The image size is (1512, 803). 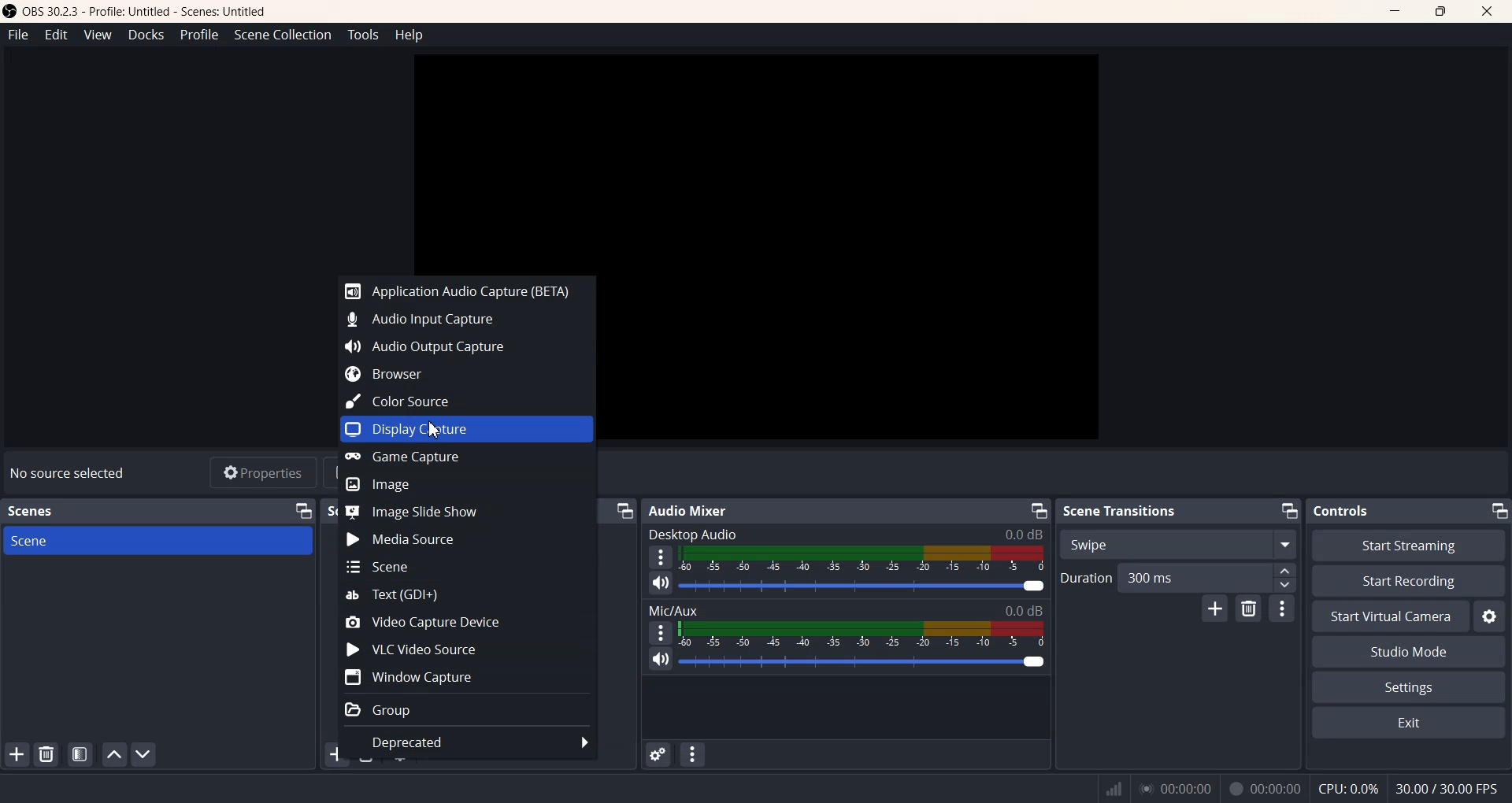 I want to click on Help, so click(x=409, y=35).